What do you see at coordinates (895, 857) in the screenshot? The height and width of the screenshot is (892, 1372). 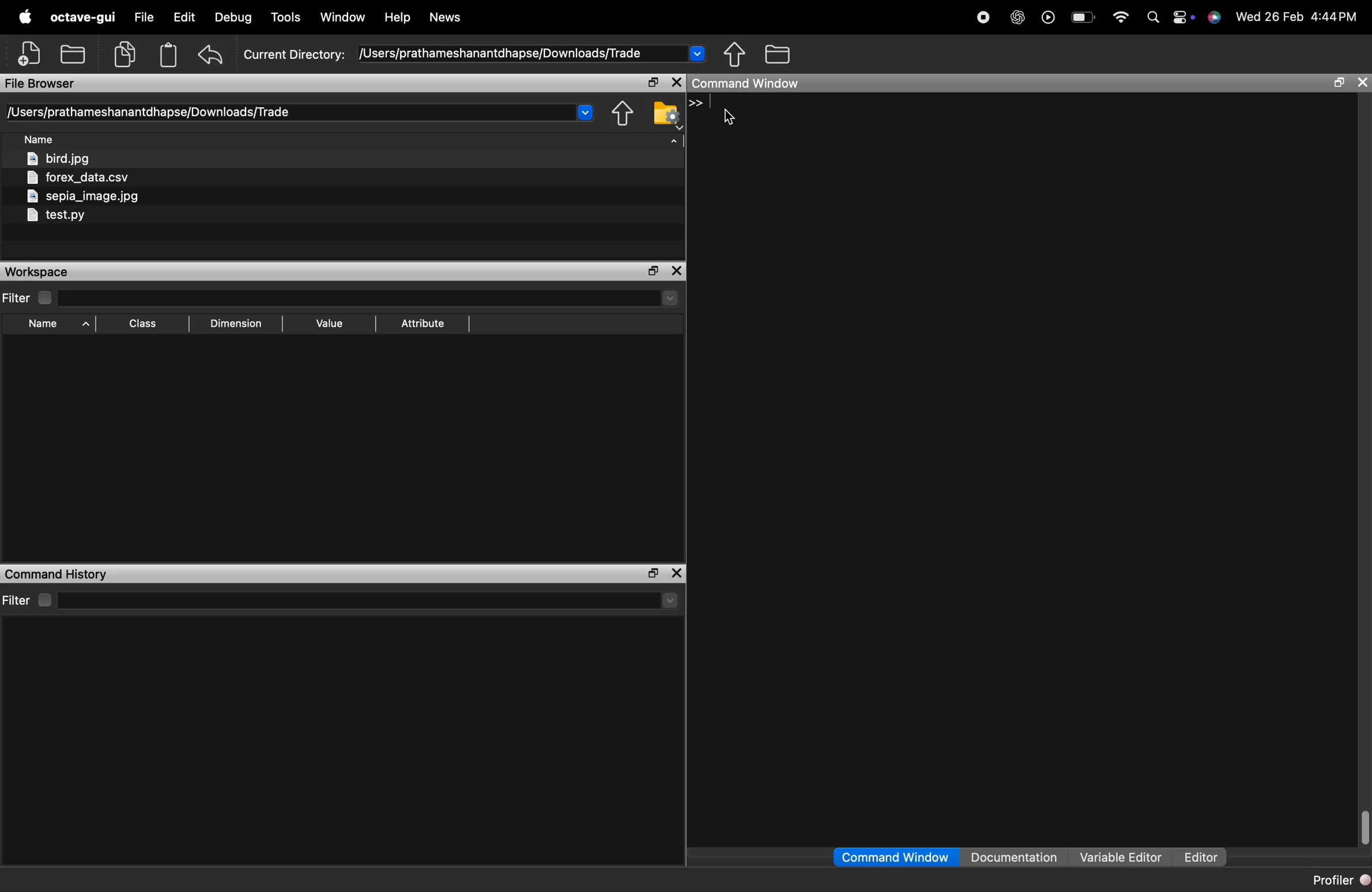 I see `Command Window` at bounding box center [895, 857].